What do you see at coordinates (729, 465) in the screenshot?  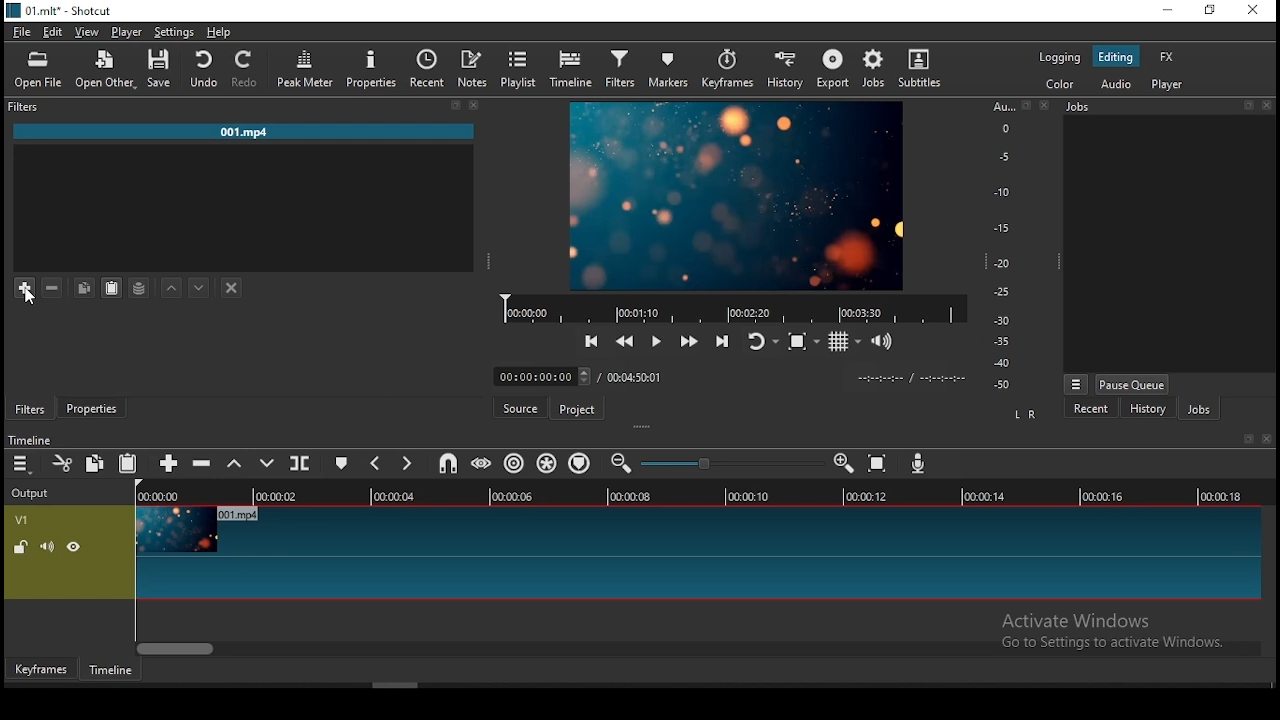 I see `slider` at bounding box center [729, 465].